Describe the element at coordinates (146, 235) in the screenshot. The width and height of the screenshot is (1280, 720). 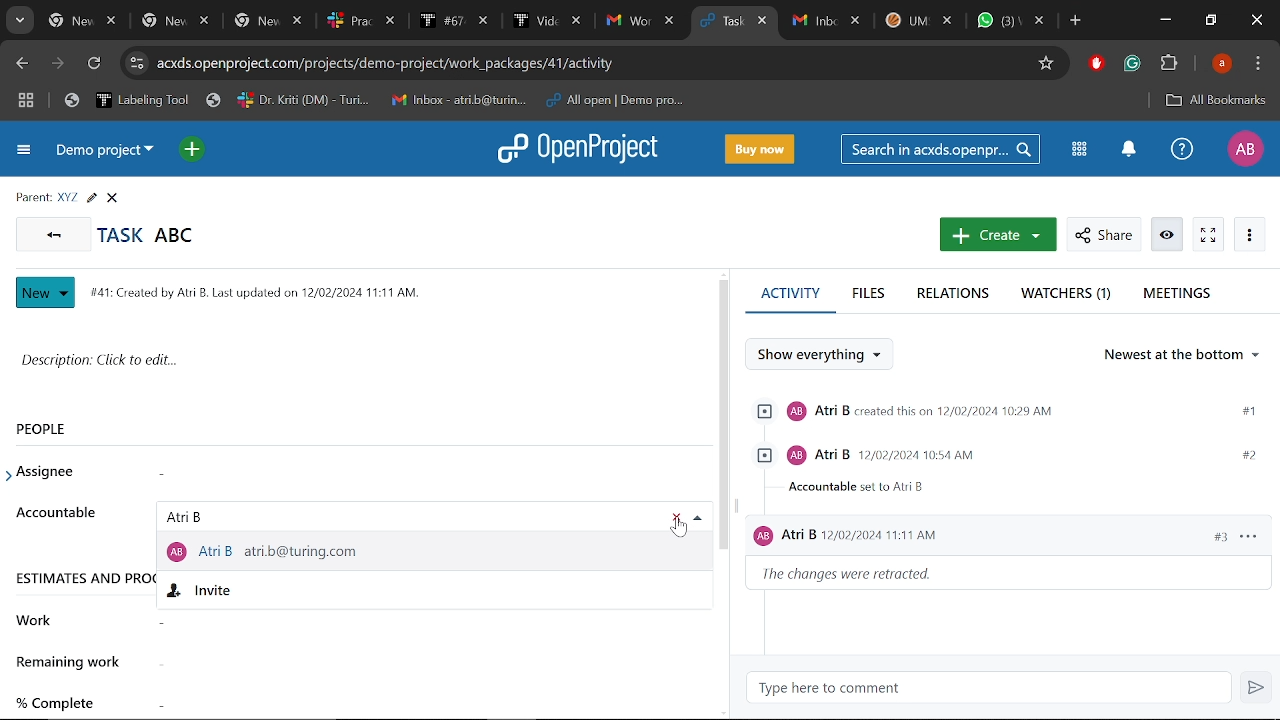
I see `Task name` at that location.